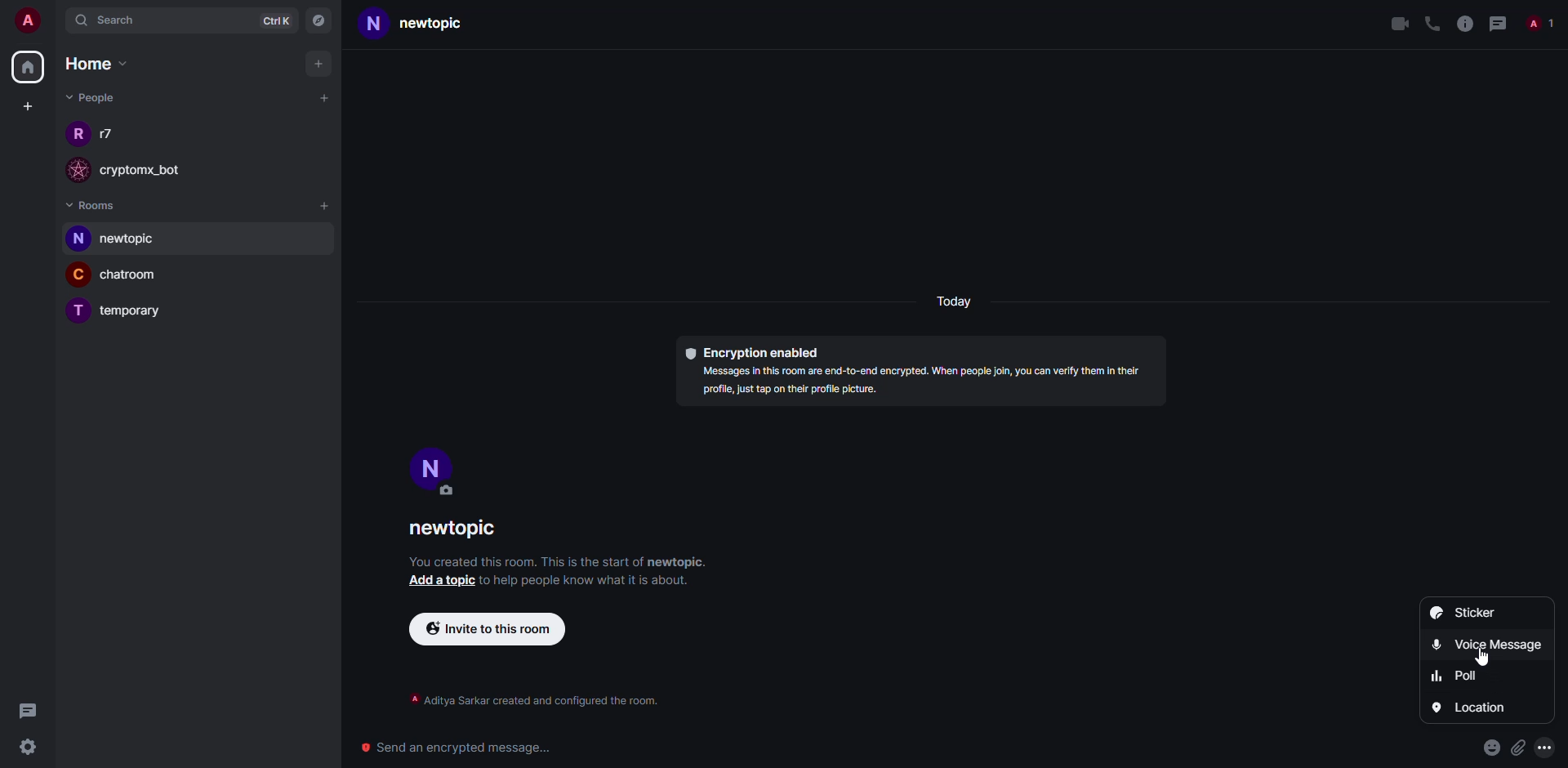  I want to click on ctrlK, so click(274, 22).